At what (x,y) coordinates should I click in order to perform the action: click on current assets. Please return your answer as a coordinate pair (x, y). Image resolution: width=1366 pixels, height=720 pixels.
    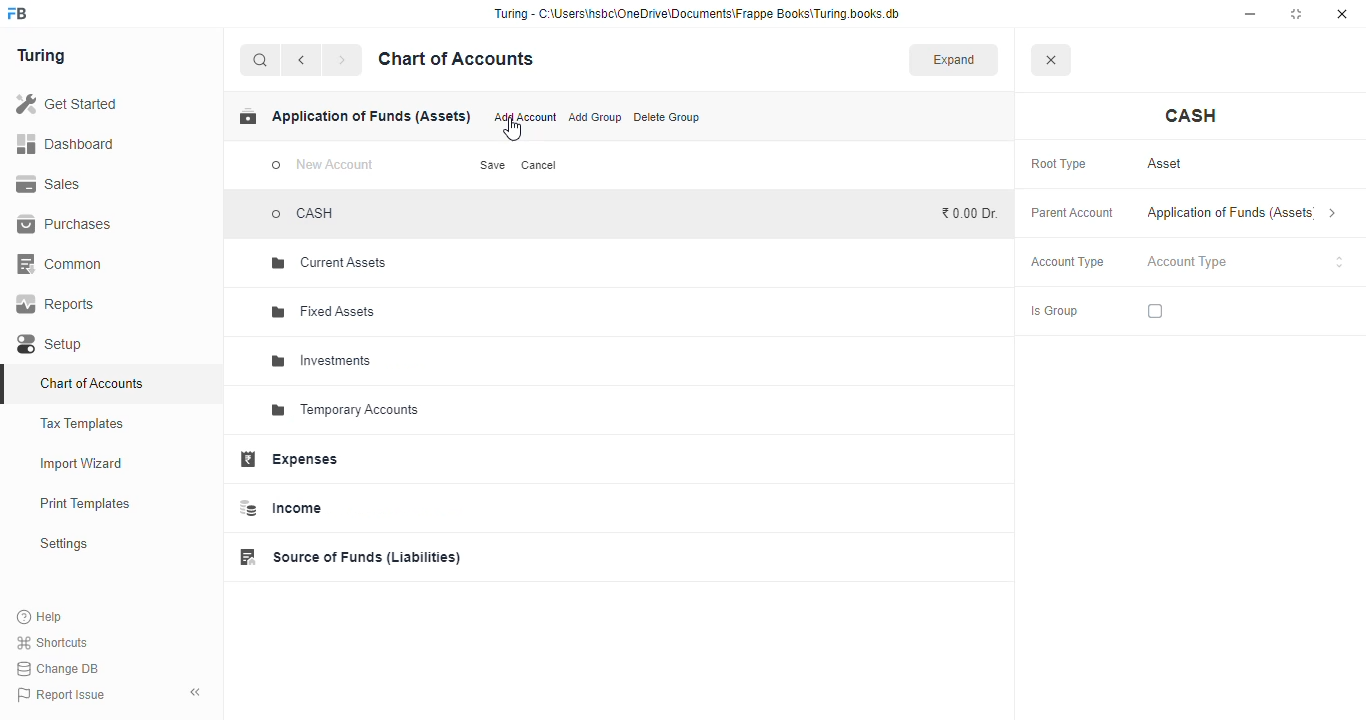
    Looking at the image, I should click on (329, 264).